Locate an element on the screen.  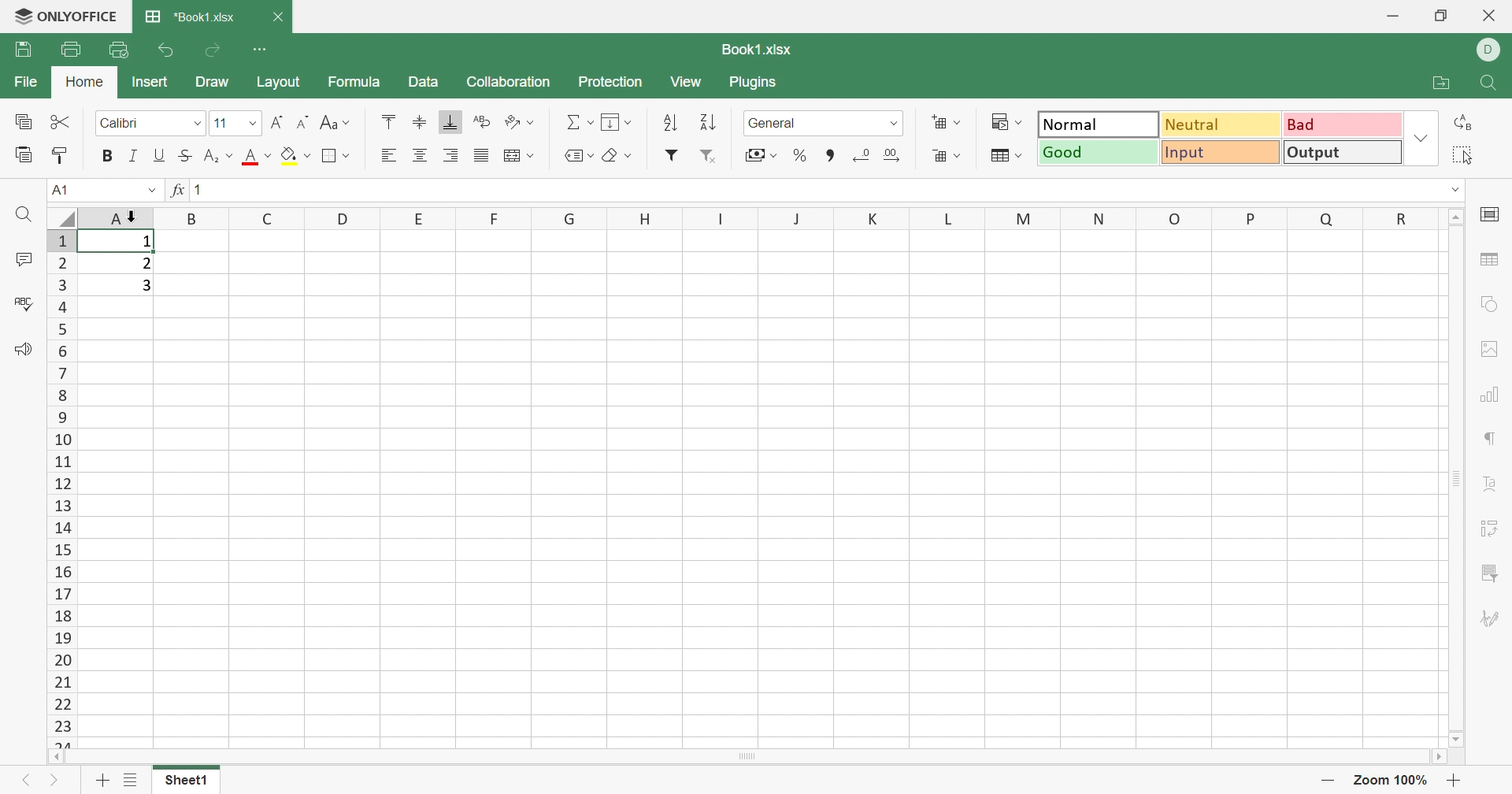
Orientation is located at coordinates (520, 123).